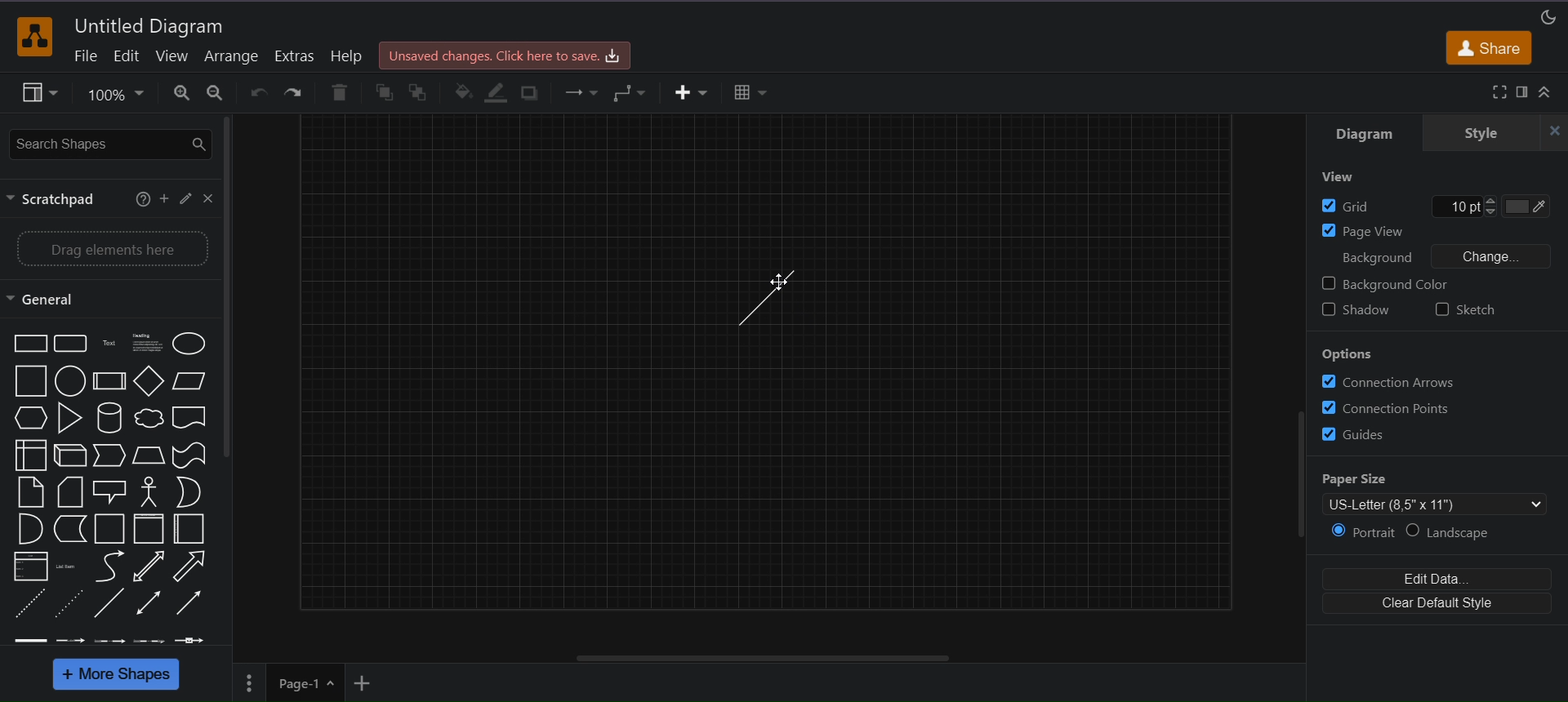  I want to click on appearance, so click(1547, 17).